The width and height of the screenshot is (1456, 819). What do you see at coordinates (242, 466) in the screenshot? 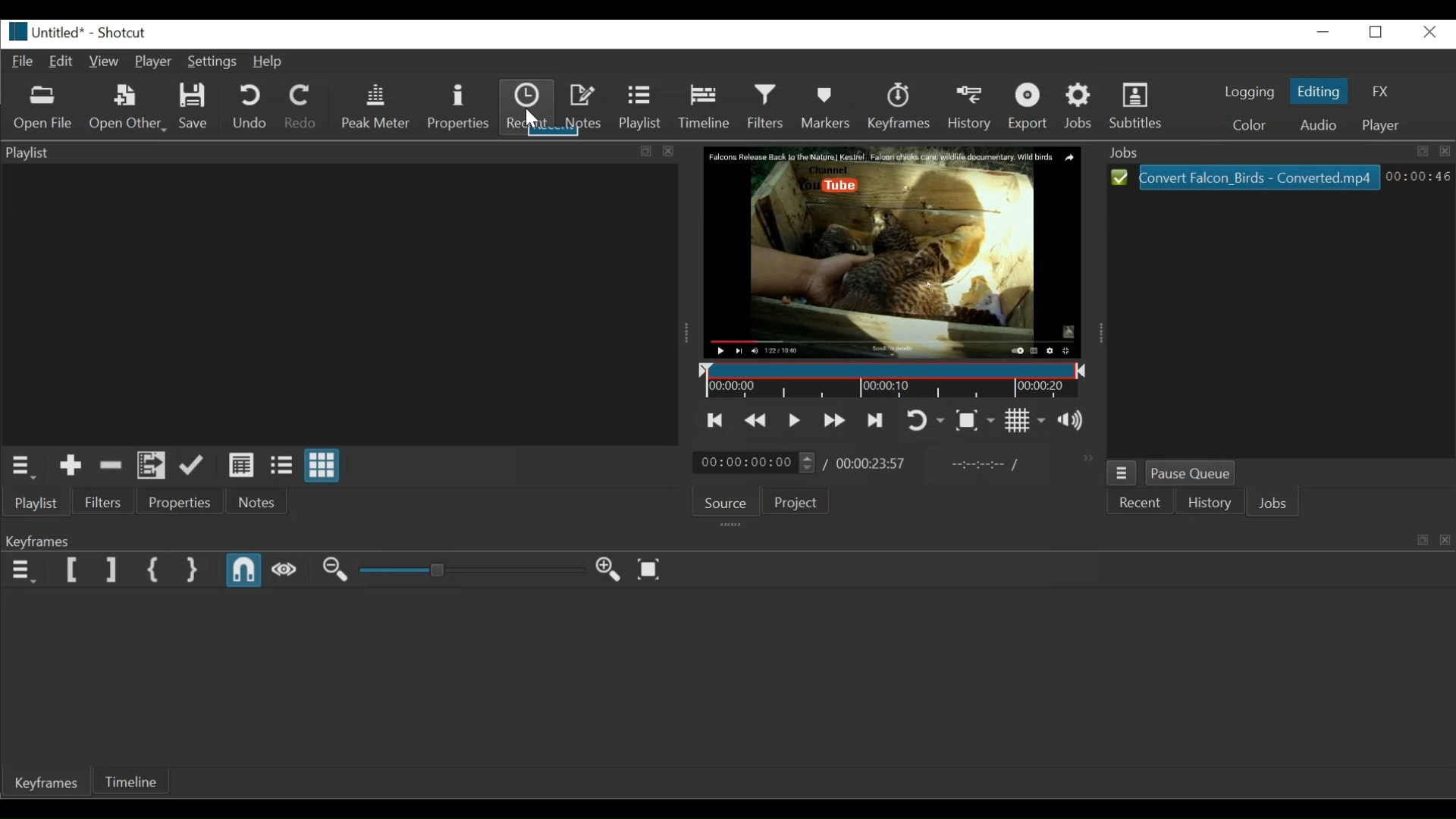
I see `View as detail` at bounding box center [242, 466].